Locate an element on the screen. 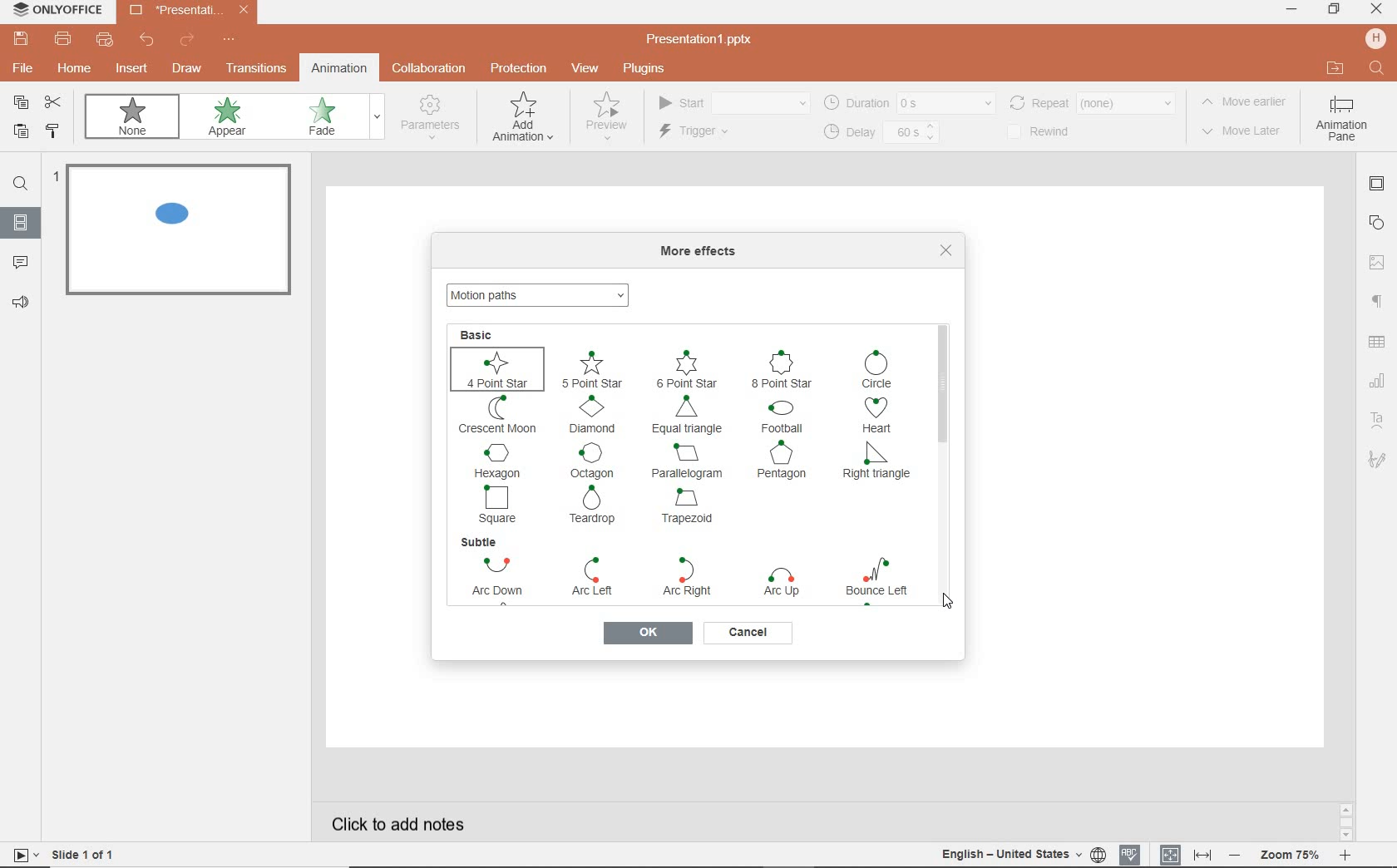 Image resolution: width=1397 pixels, height=868 pixels. fit to width is located at coordinates (1204, 853).